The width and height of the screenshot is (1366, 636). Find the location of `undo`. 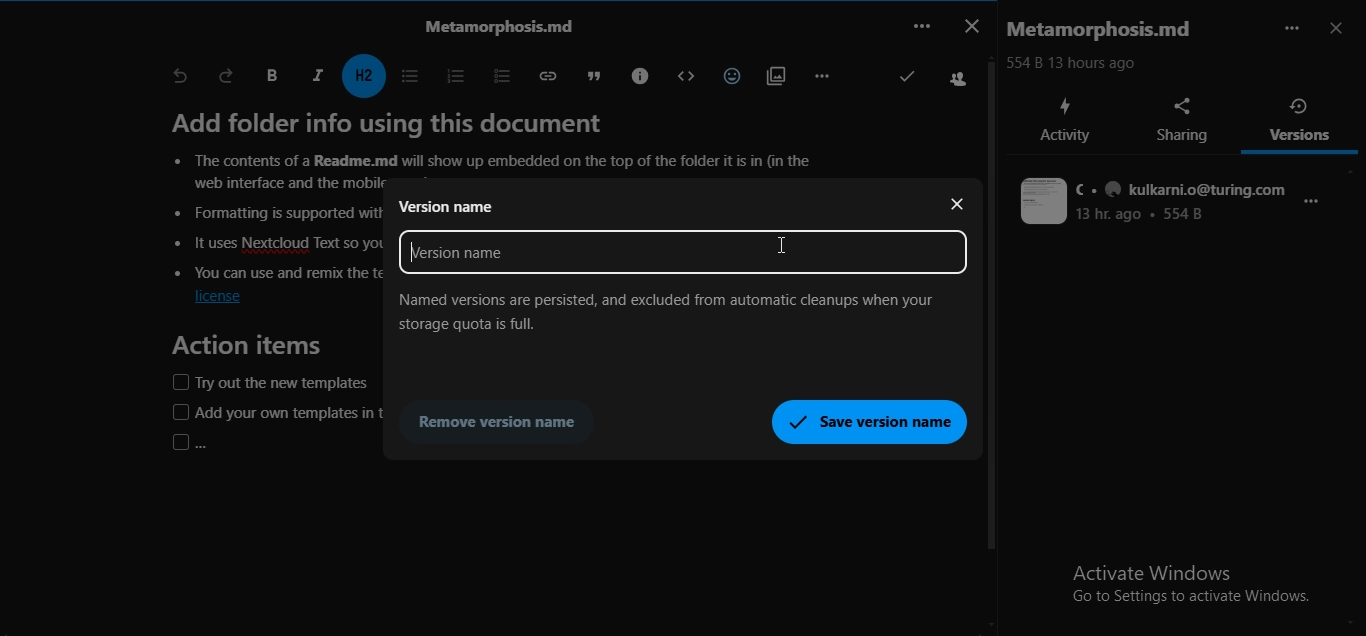

undo is located at coordinates (180, 77).